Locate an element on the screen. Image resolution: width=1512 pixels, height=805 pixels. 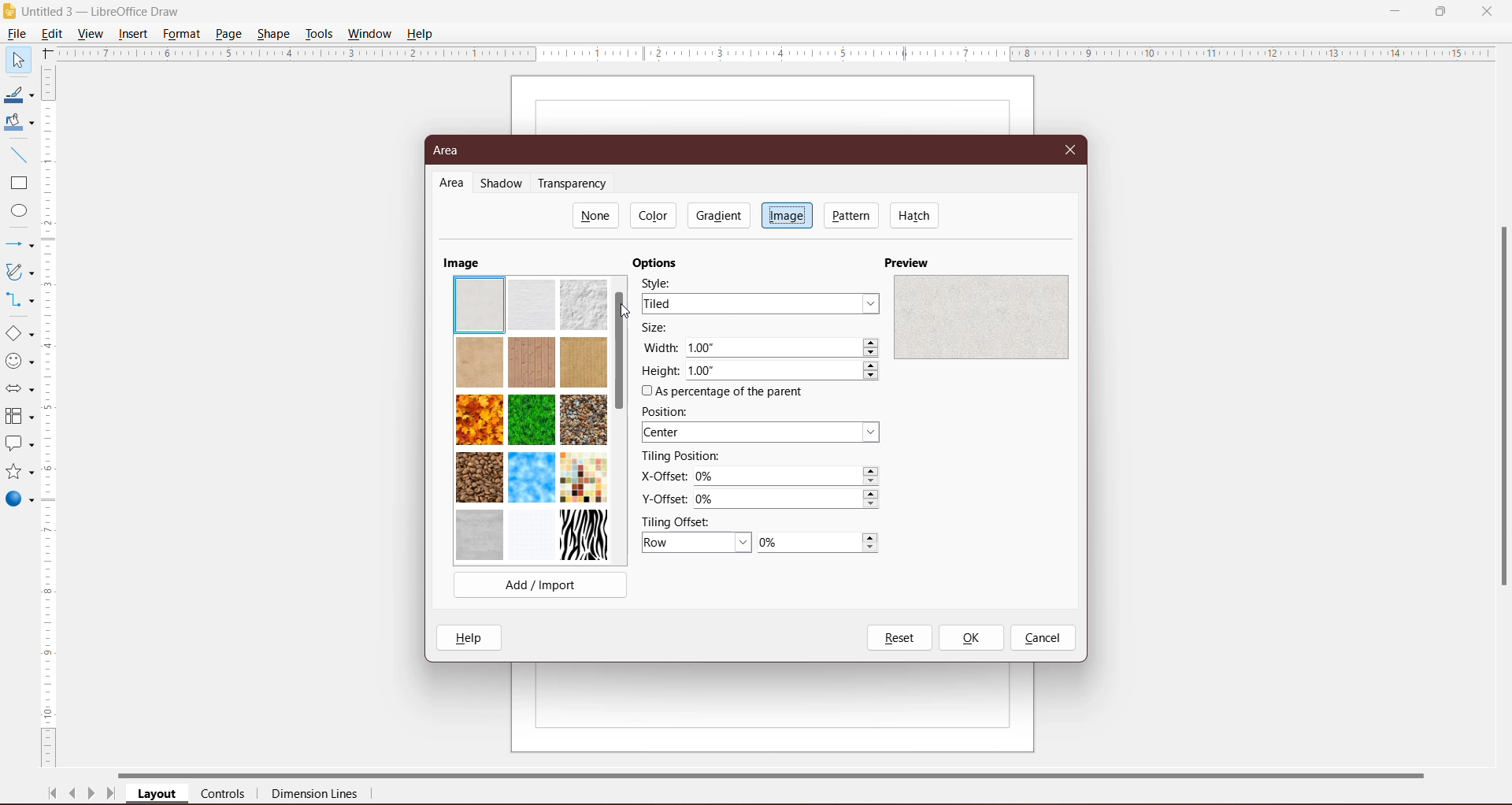
Connectors is located at coordinates (18, 301).